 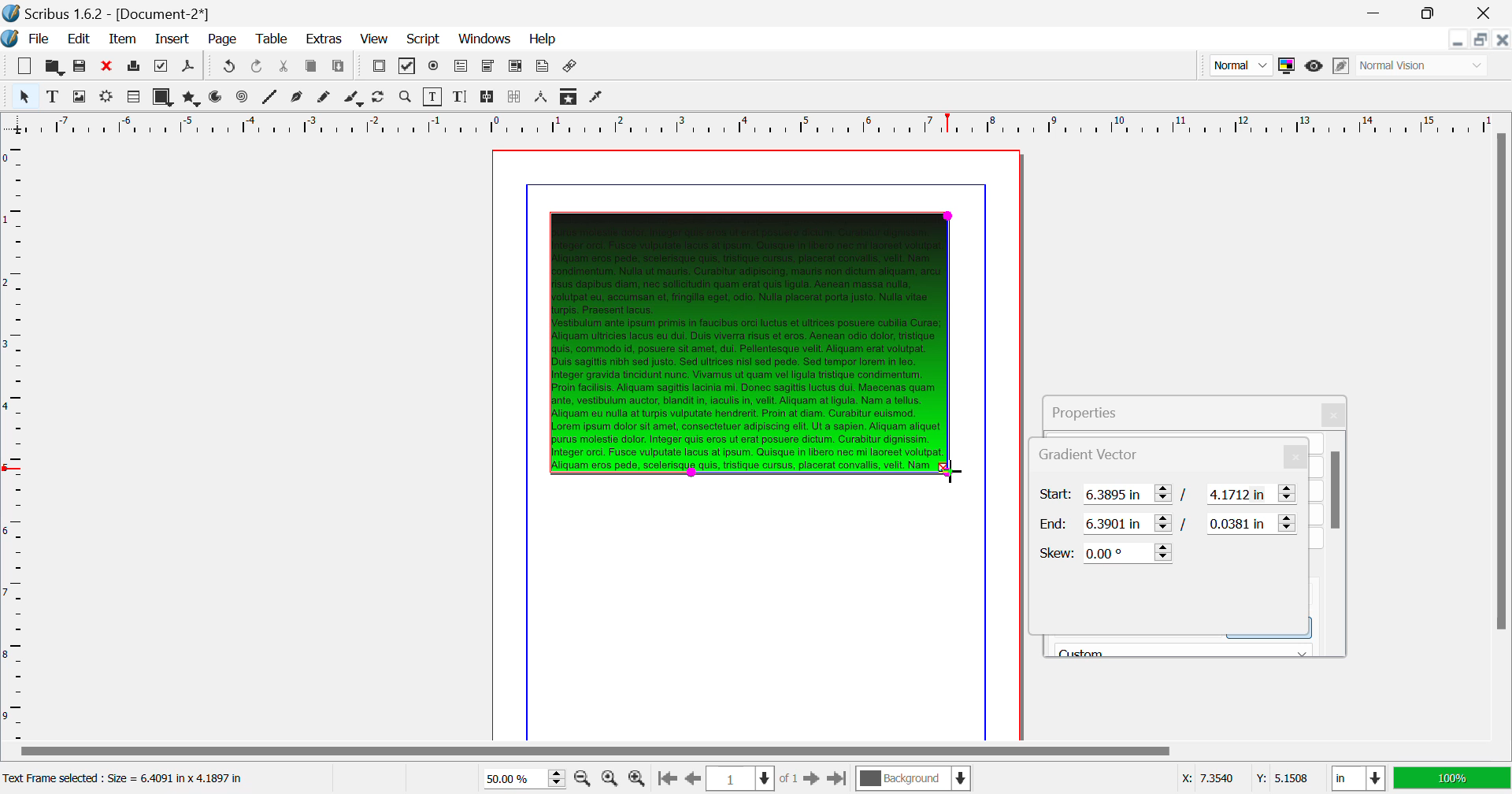 I want to click on Cut, so click(x=285, y=68).